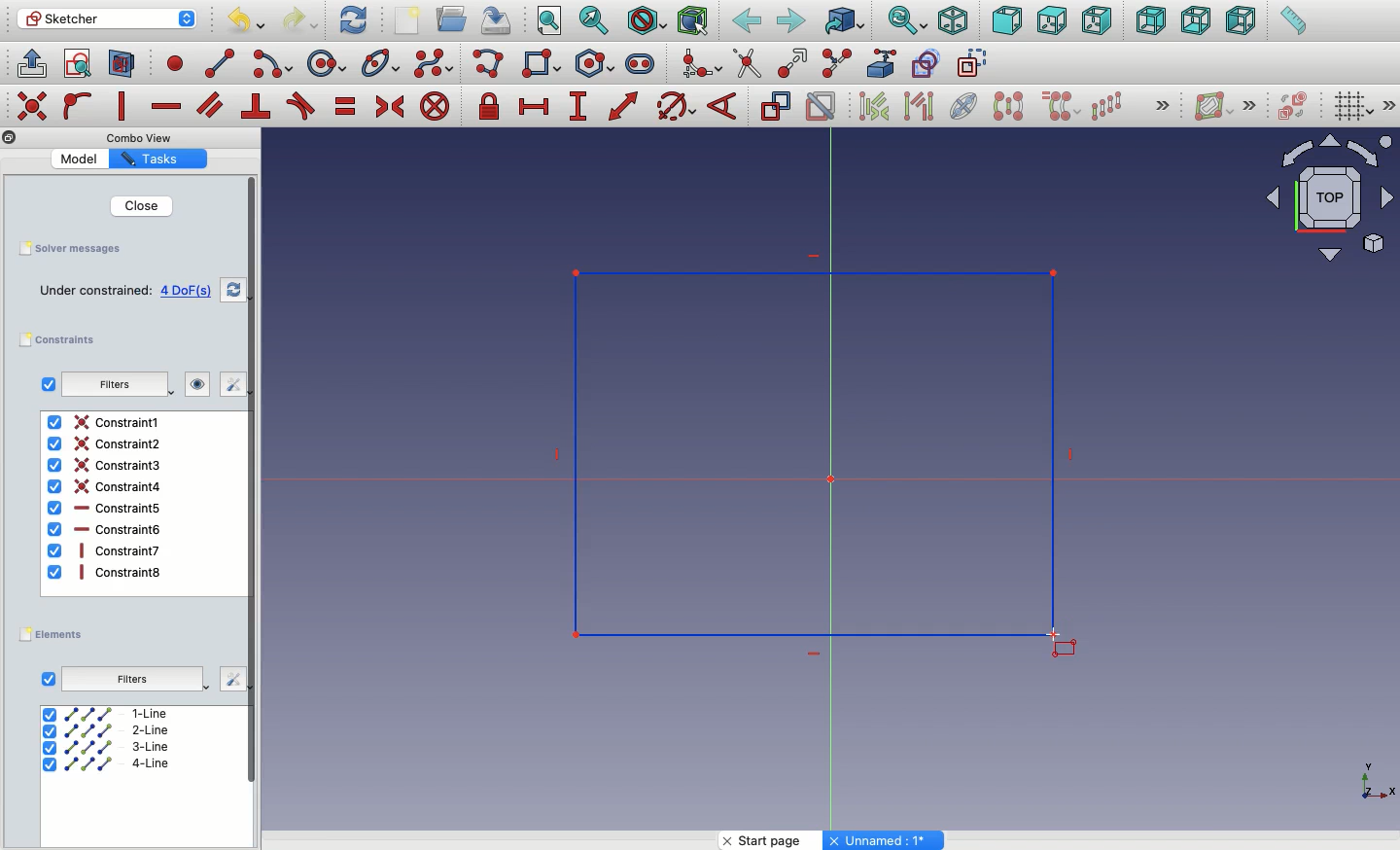 The height and width of the screenshot is (850, 1400). Describe the element at coordinates (106, 509) in the screenshot. I see `Constraint5` at that location.